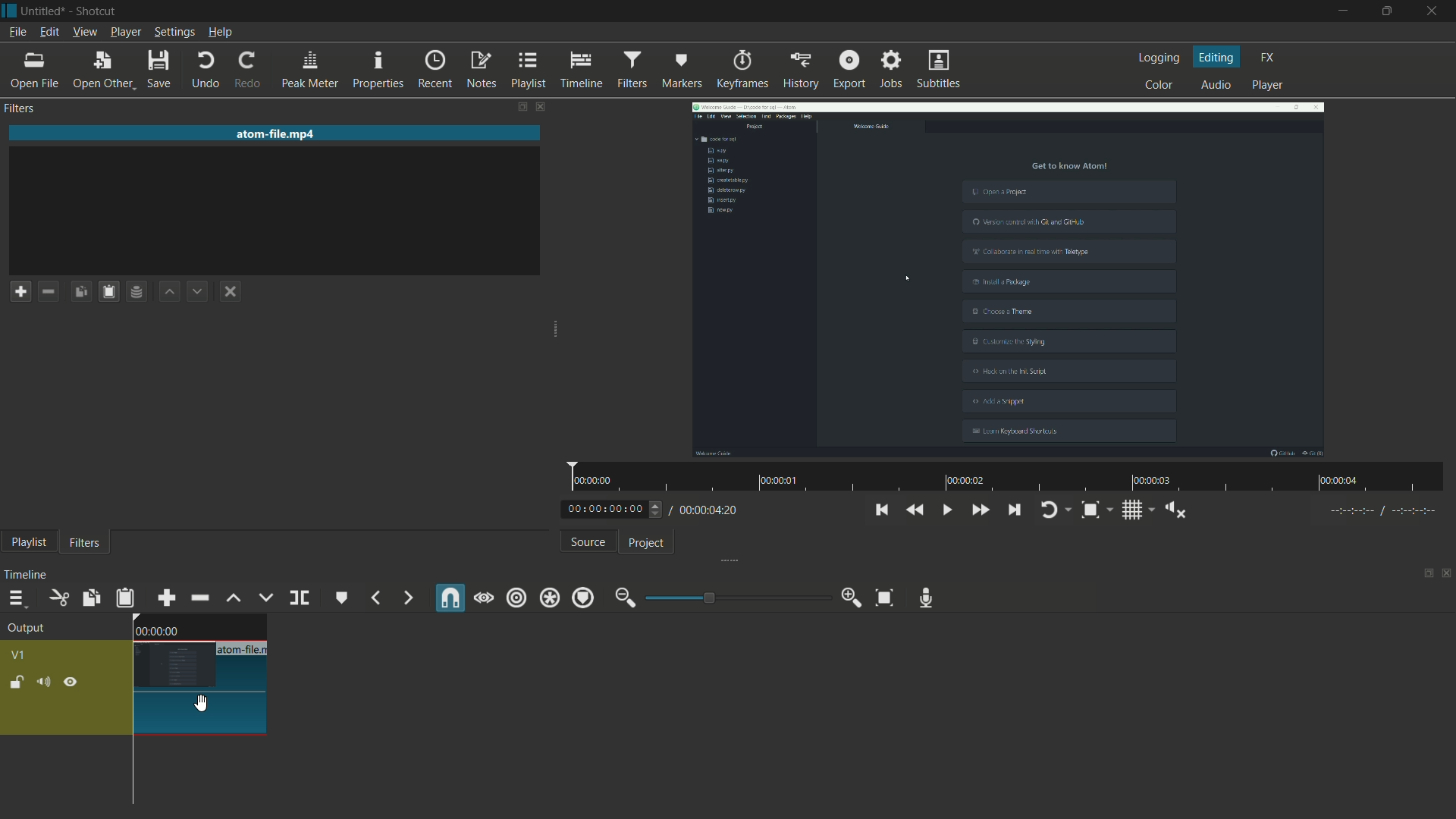 This screenshot has width=1456, height=819. Describe the element at coordinates (15, 682) in the screenshot. I see `lock` at that location.